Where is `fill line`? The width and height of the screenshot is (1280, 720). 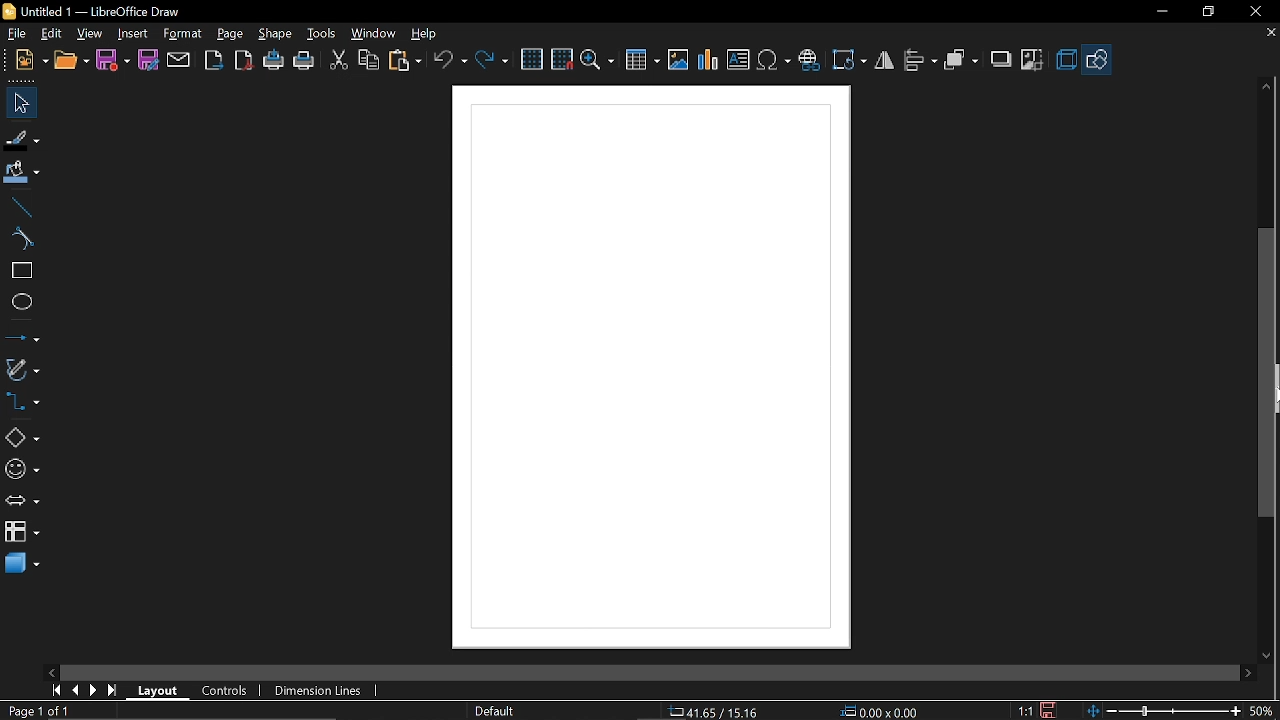
fill line is located at coordinates (21, 141).